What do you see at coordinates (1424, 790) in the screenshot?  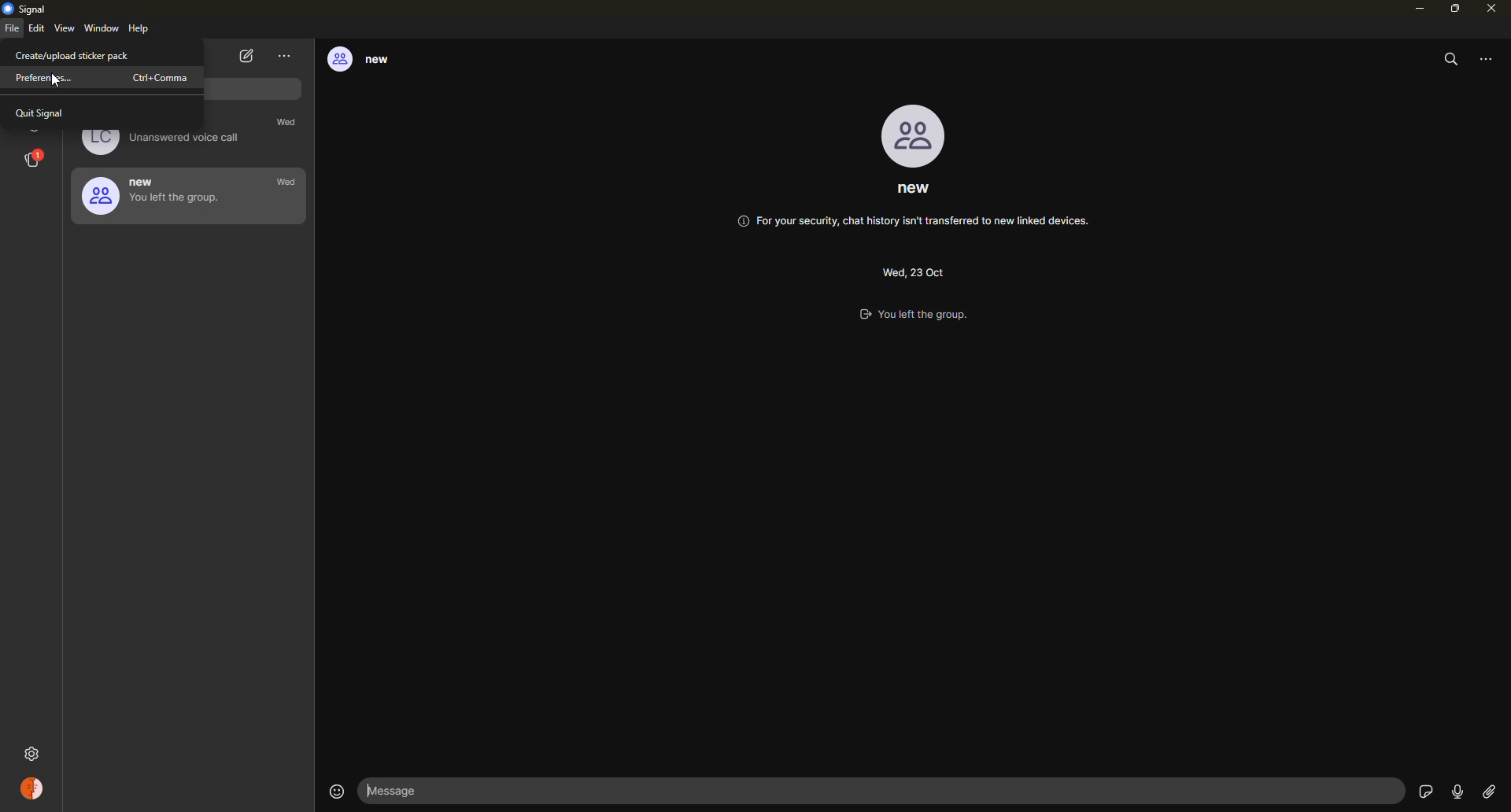 I see `stickers` at bounding box center [1424, 790].